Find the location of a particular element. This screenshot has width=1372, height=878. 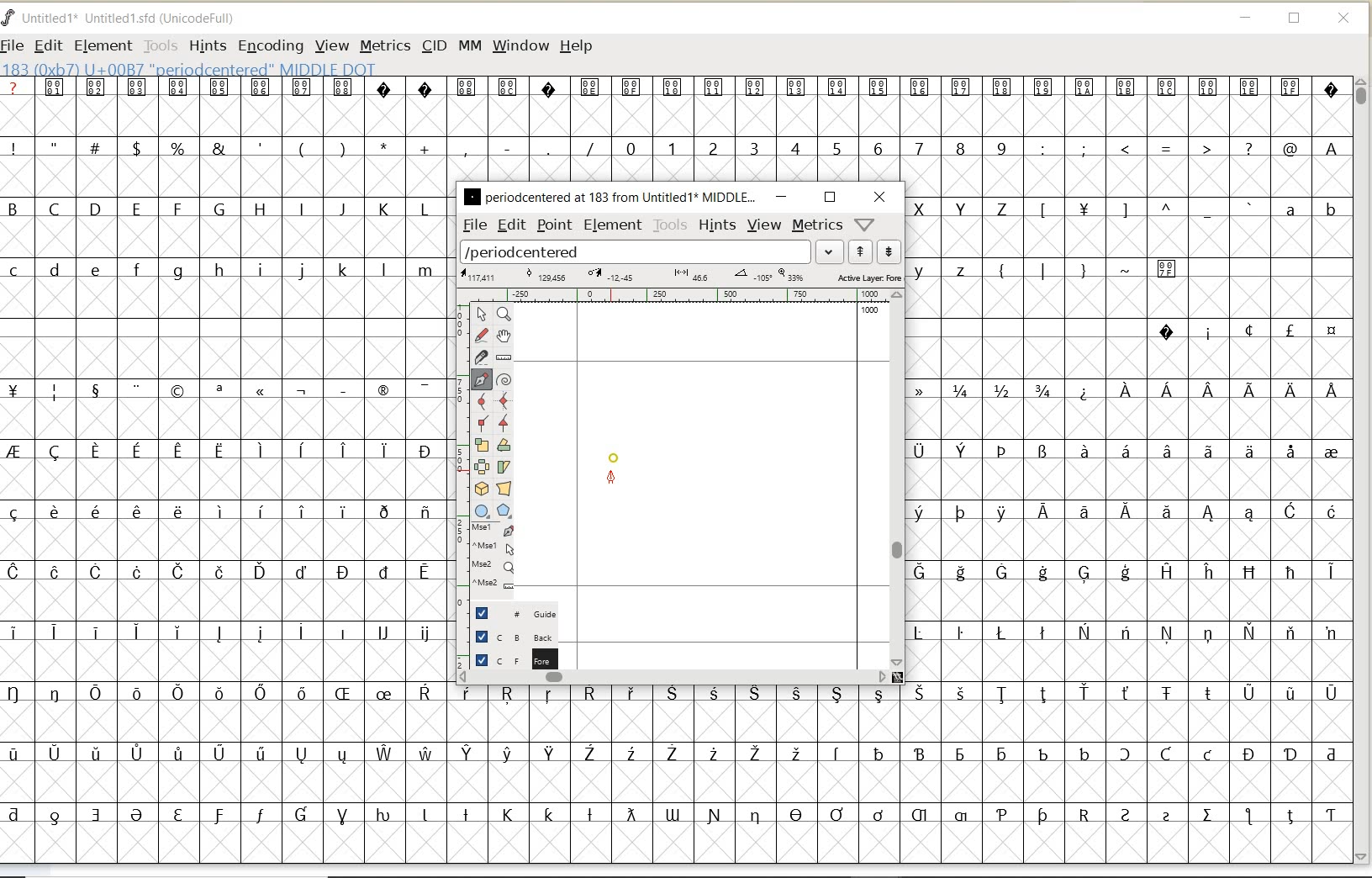

Magnify is located at coordinates (504, 315).